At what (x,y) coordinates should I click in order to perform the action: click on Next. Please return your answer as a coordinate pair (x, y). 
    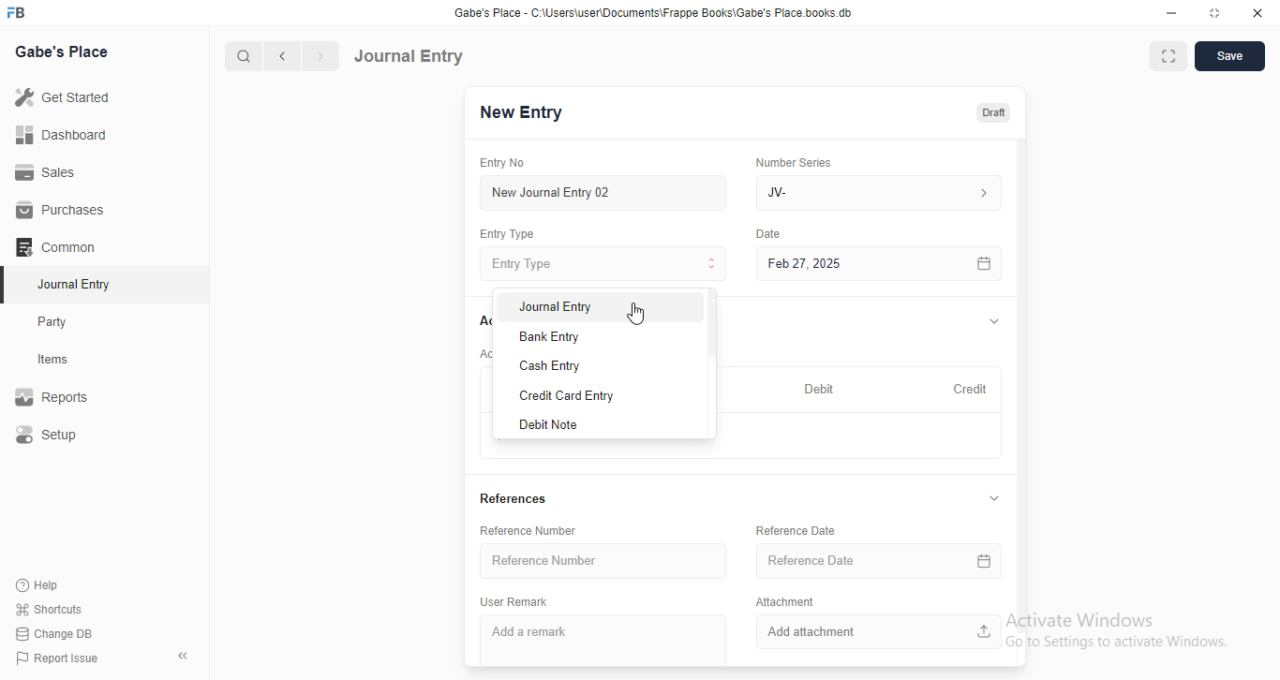
    Looking at the image, I should click on (319, 56).